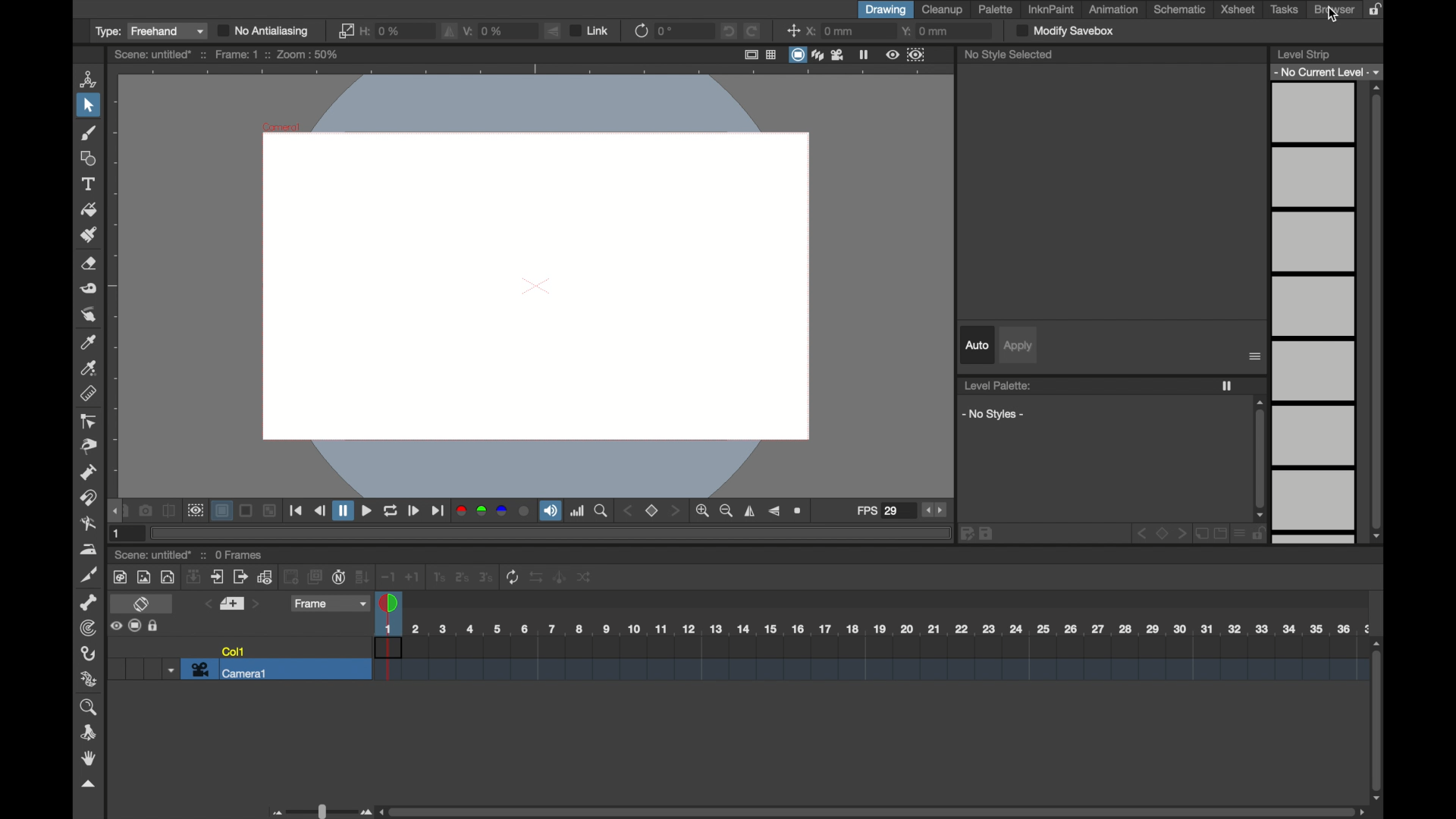 The height and width of the screenshot is (819, 1456). What do you see at coordinates (170, 510) in the screenshot?
I see `compare to snapshot` at bounding box center [170, 510].